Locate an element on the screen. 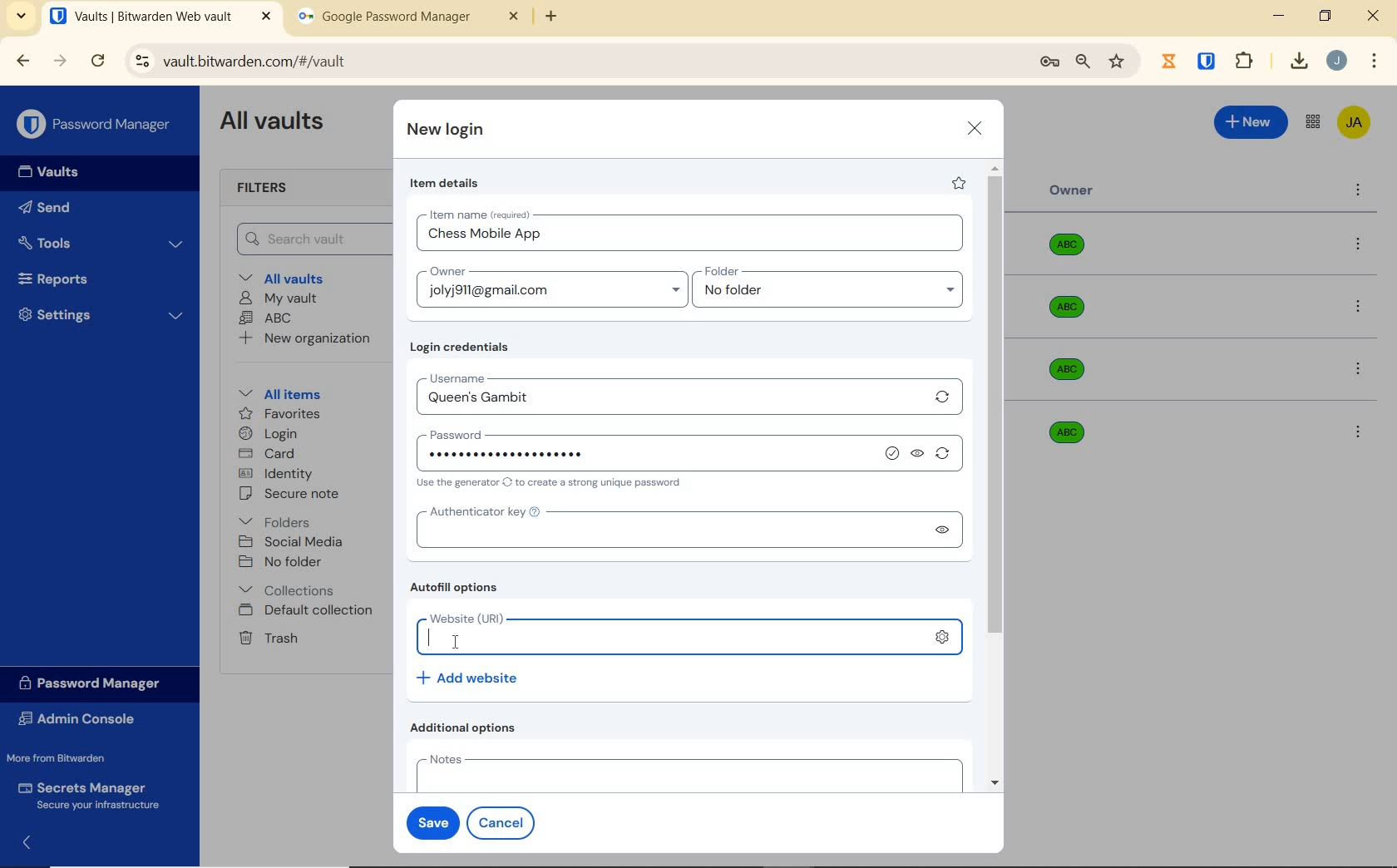  customize Google chrome is located at coordinates (1375, 62).